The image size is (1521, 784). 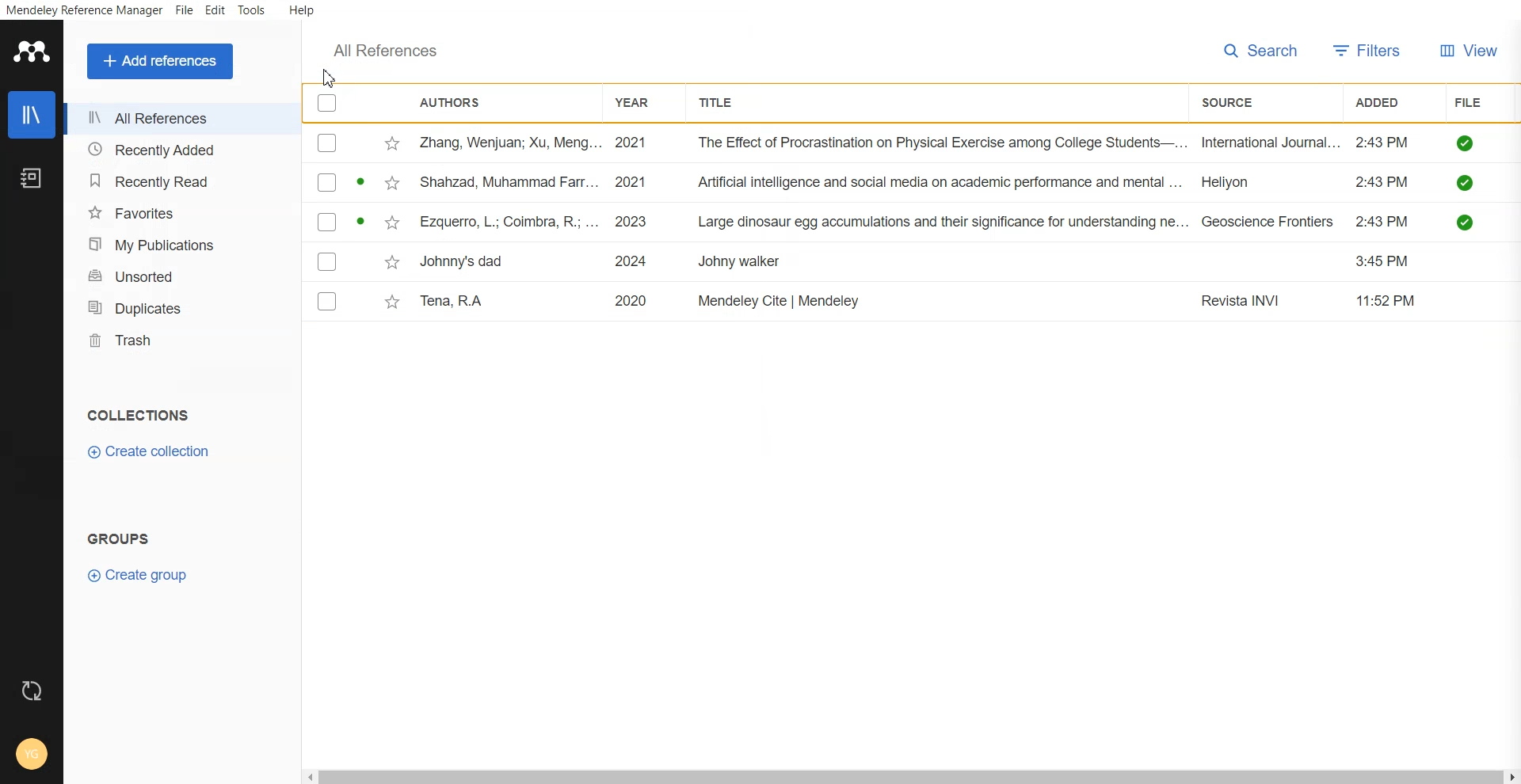 I want to click on 2020, so click(x=631, y=299).